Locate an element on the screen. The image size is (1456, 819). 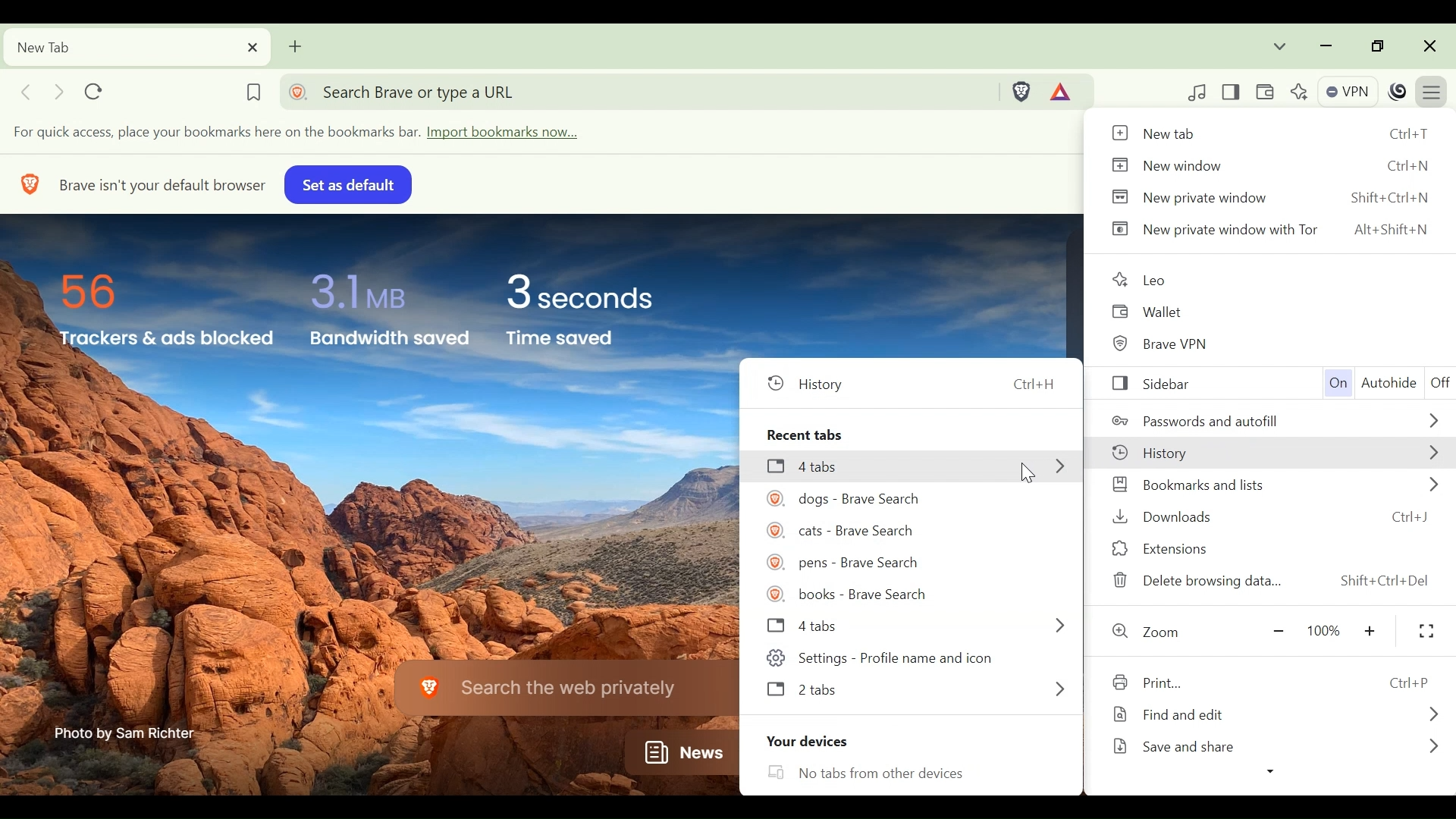
Find and edit is located at coordinates (1276, 715).